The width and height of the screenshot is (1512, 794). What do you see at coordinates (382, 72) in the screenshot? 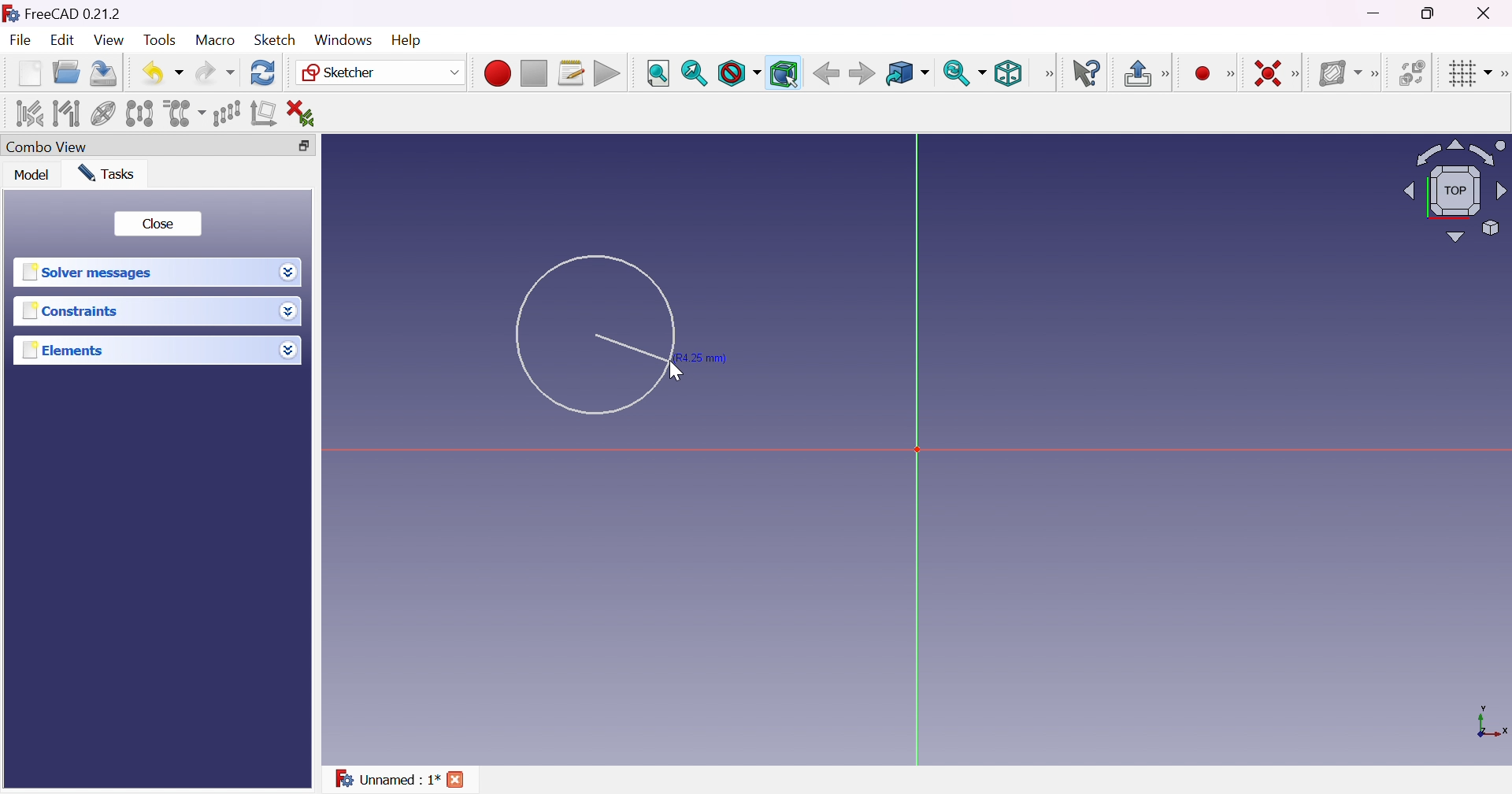
I see `Sketcher` at bounding box center [382, 72].